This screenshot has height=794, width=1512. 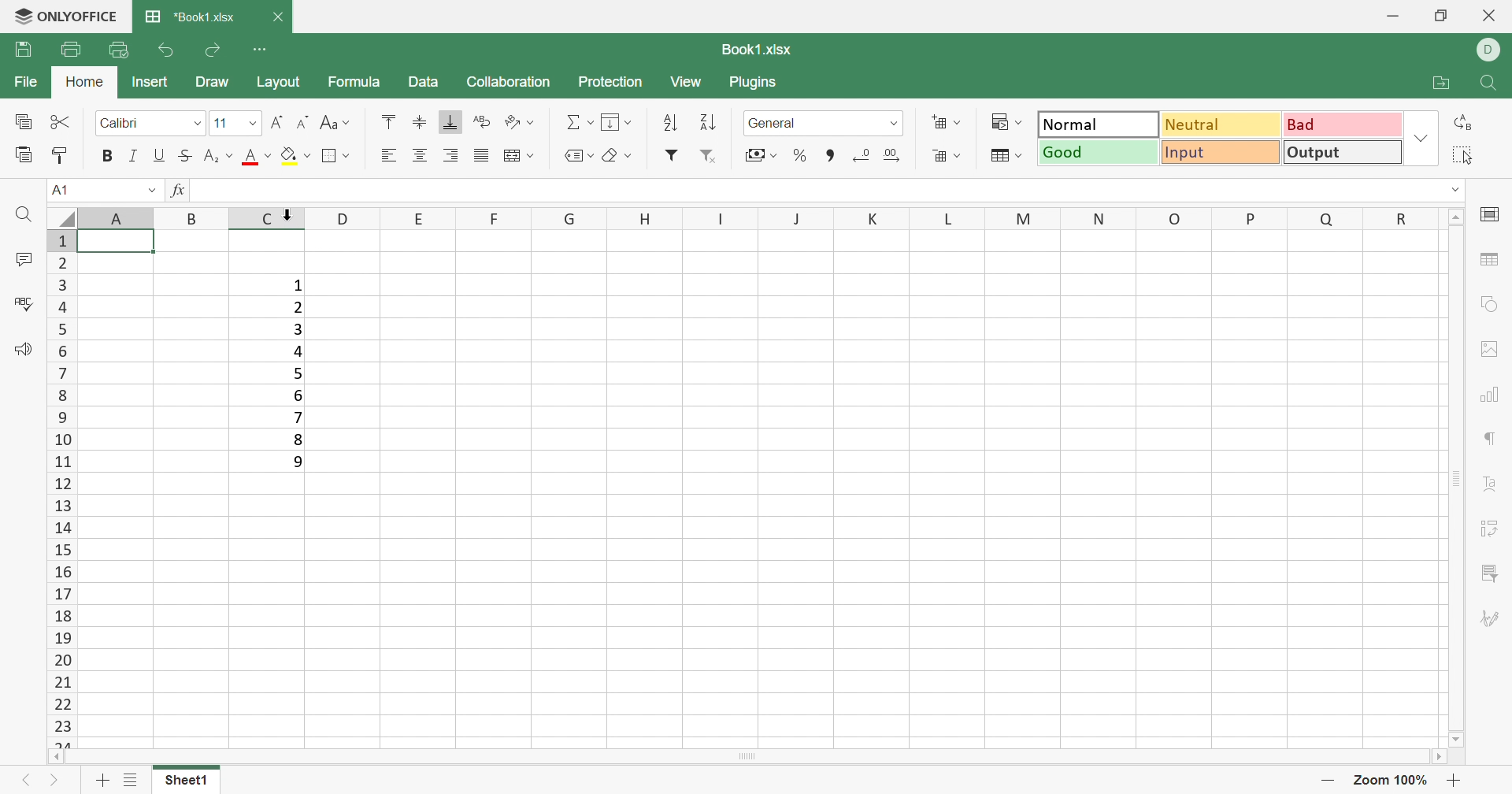 I want to click on P, so click(x=1249, y=220).